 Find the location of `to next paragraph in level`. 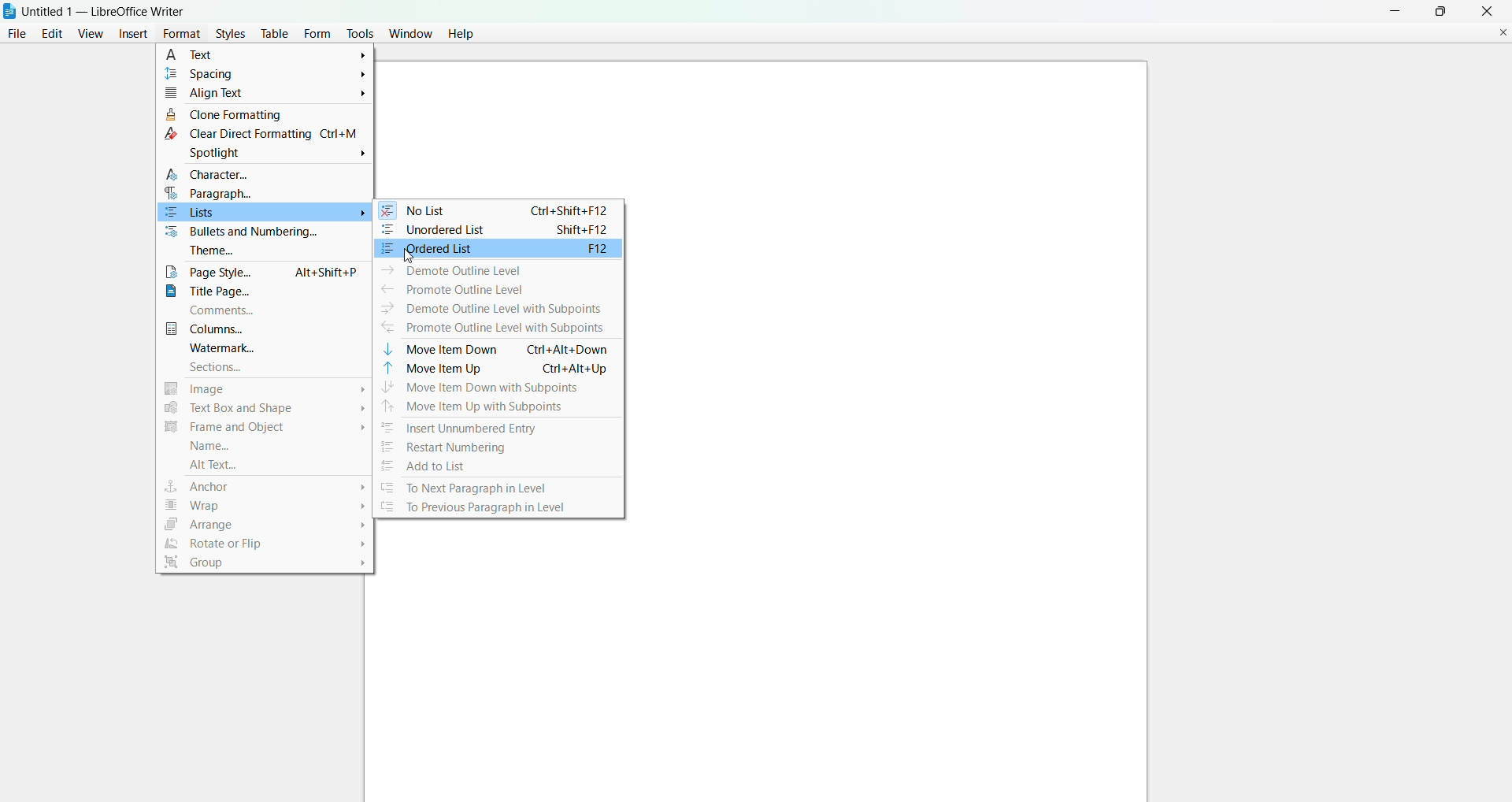

to next paragraph in level is located at coordinates (471, 487).